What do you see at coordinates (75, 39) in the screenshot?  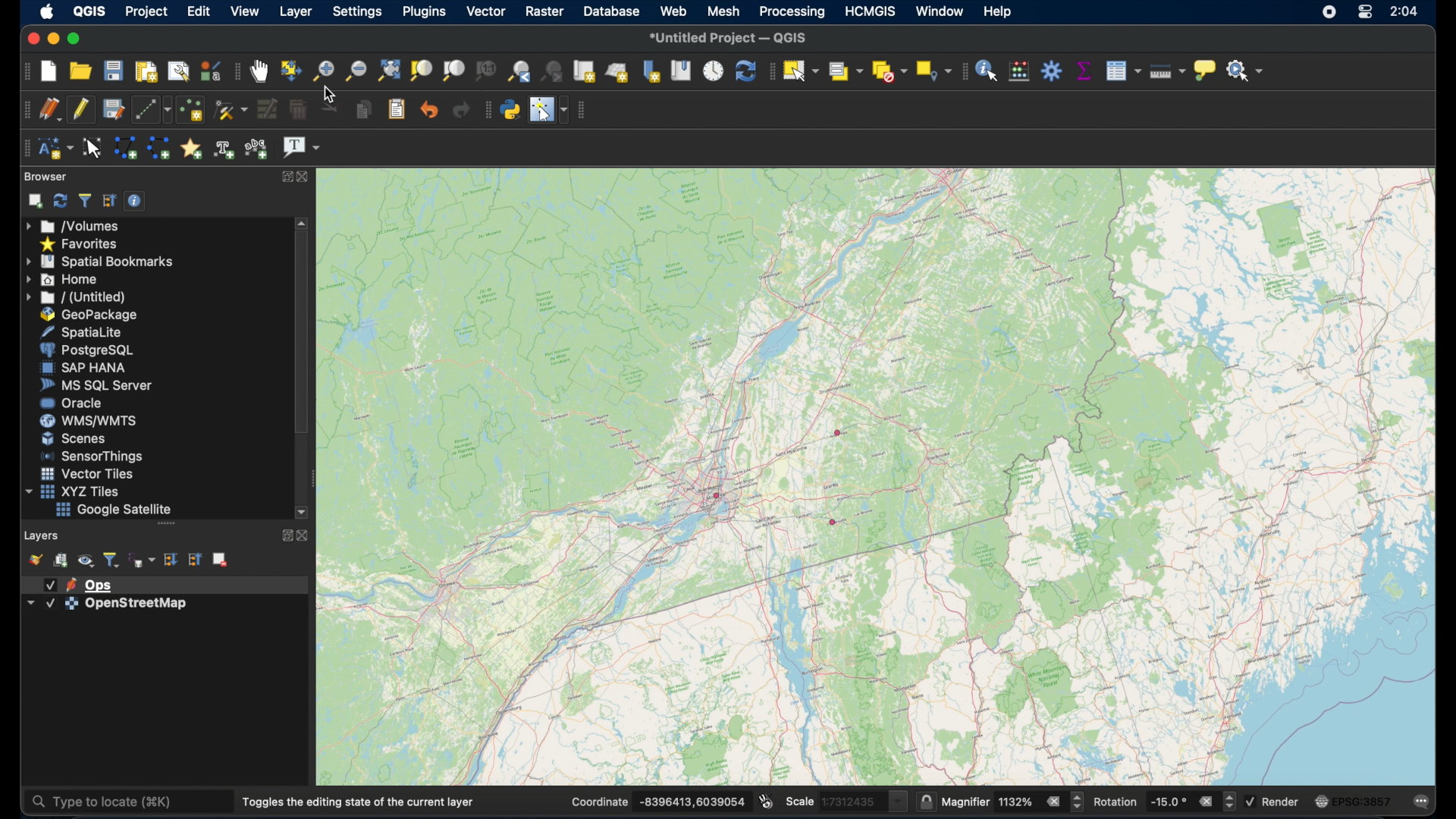 I see `maximize` at bounding box center [75, 39].